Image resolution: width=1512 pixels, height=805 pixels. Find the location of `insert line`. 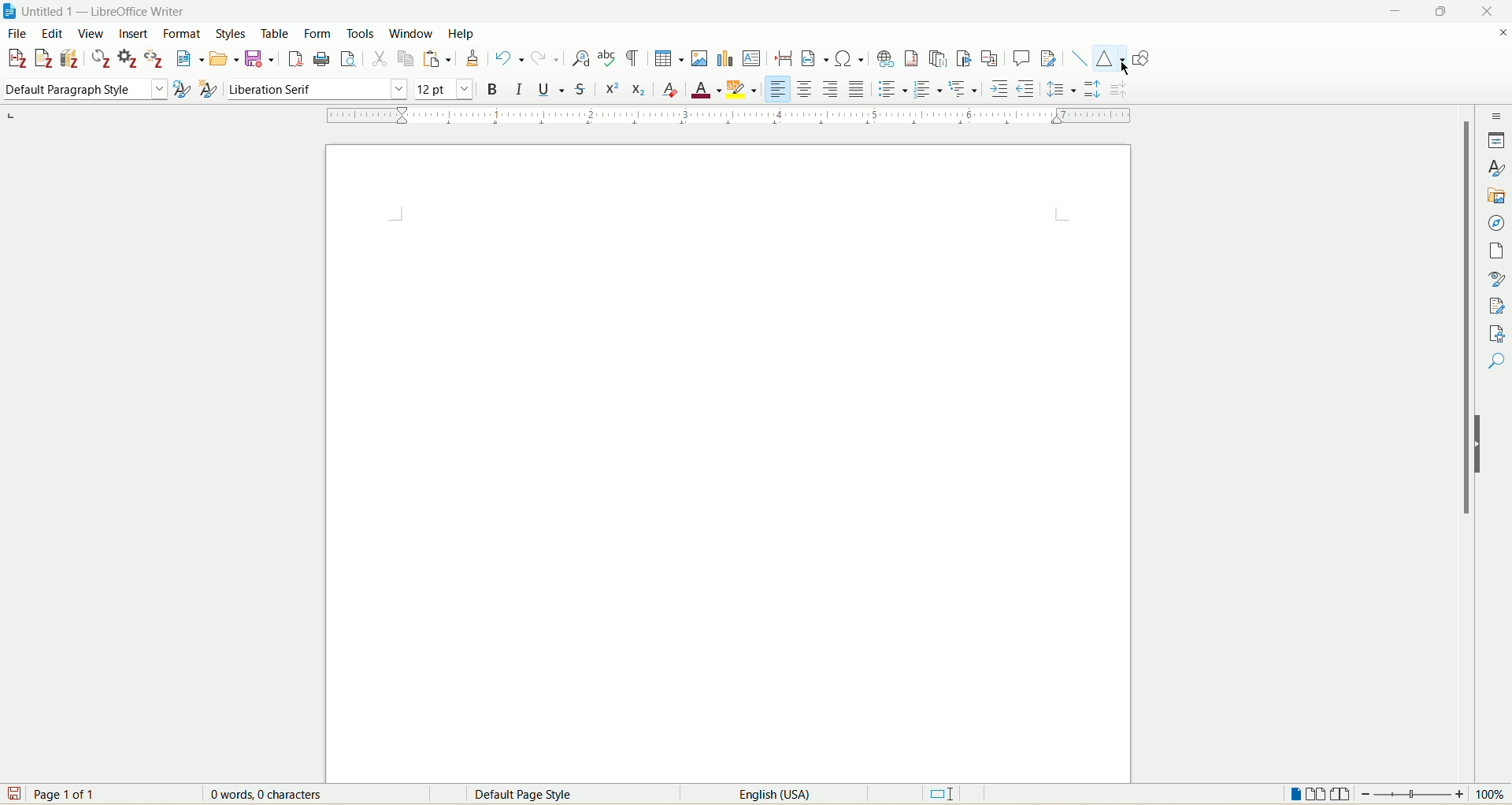

insert line is located at coordinates (1079, 58).